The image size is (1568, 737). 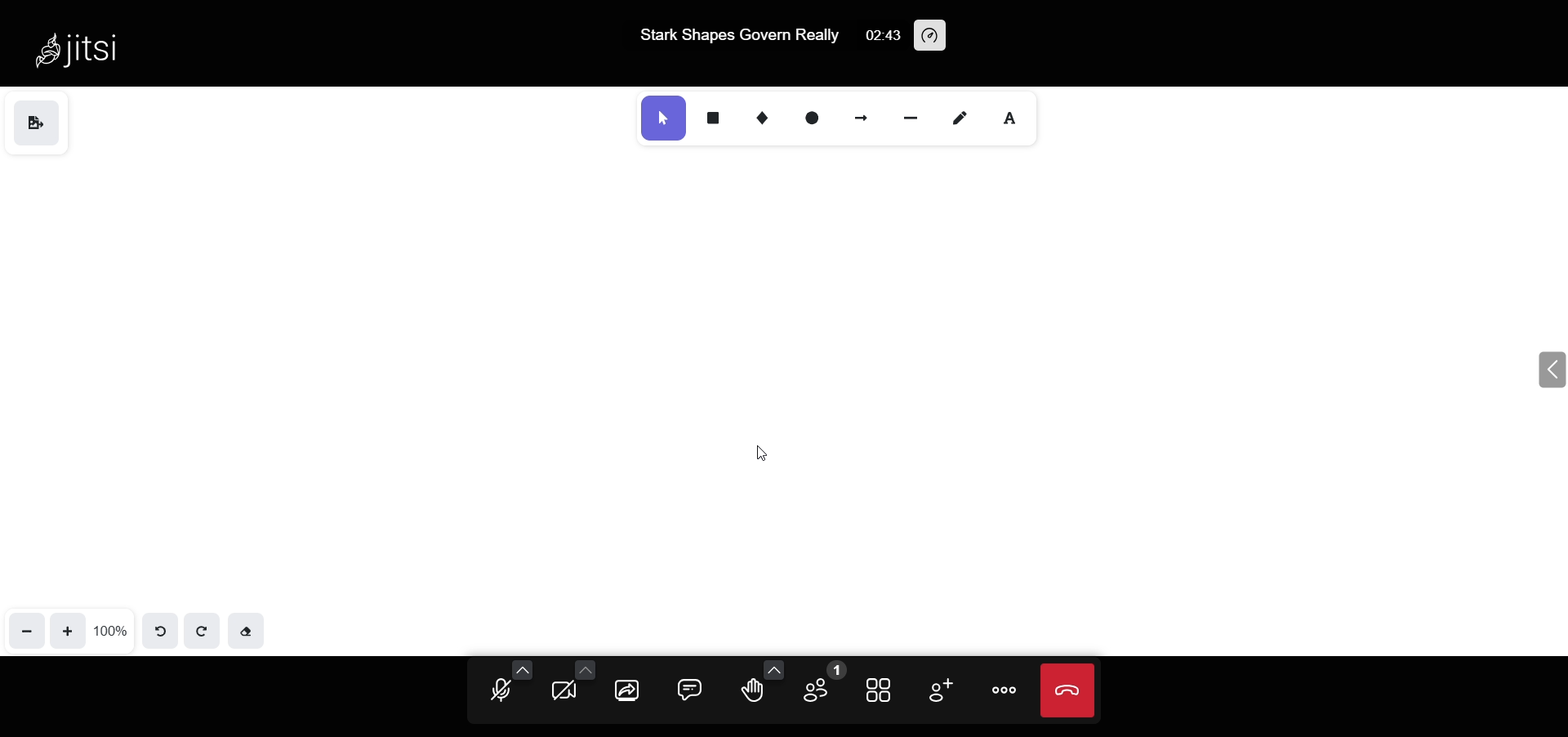 What do you see at coordinates (70, 629) in the screenshot?
I see `zoom in` at bounding box center [70, 629].